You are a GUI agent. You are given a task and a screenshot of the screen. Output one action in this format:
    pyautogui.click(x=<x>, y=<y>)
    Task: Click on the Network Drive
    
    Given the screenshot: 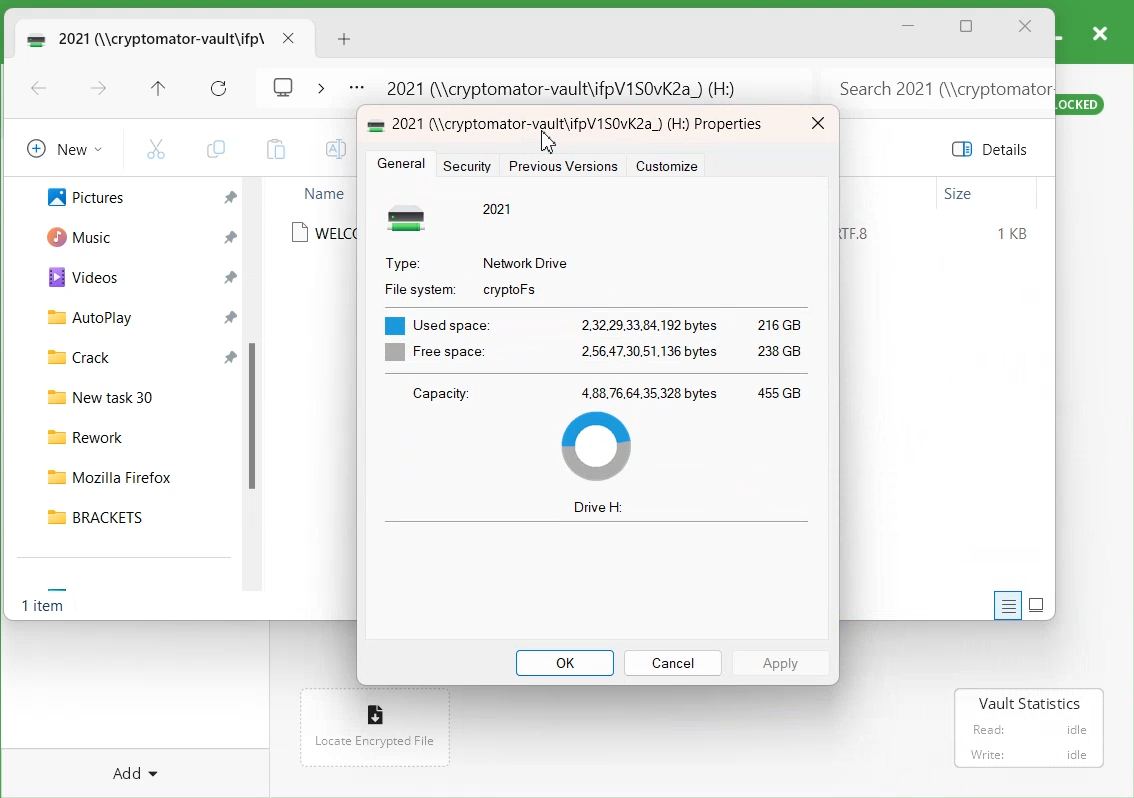 What is the action you would take?
    pyautogui.click(x=527, y=261)
    